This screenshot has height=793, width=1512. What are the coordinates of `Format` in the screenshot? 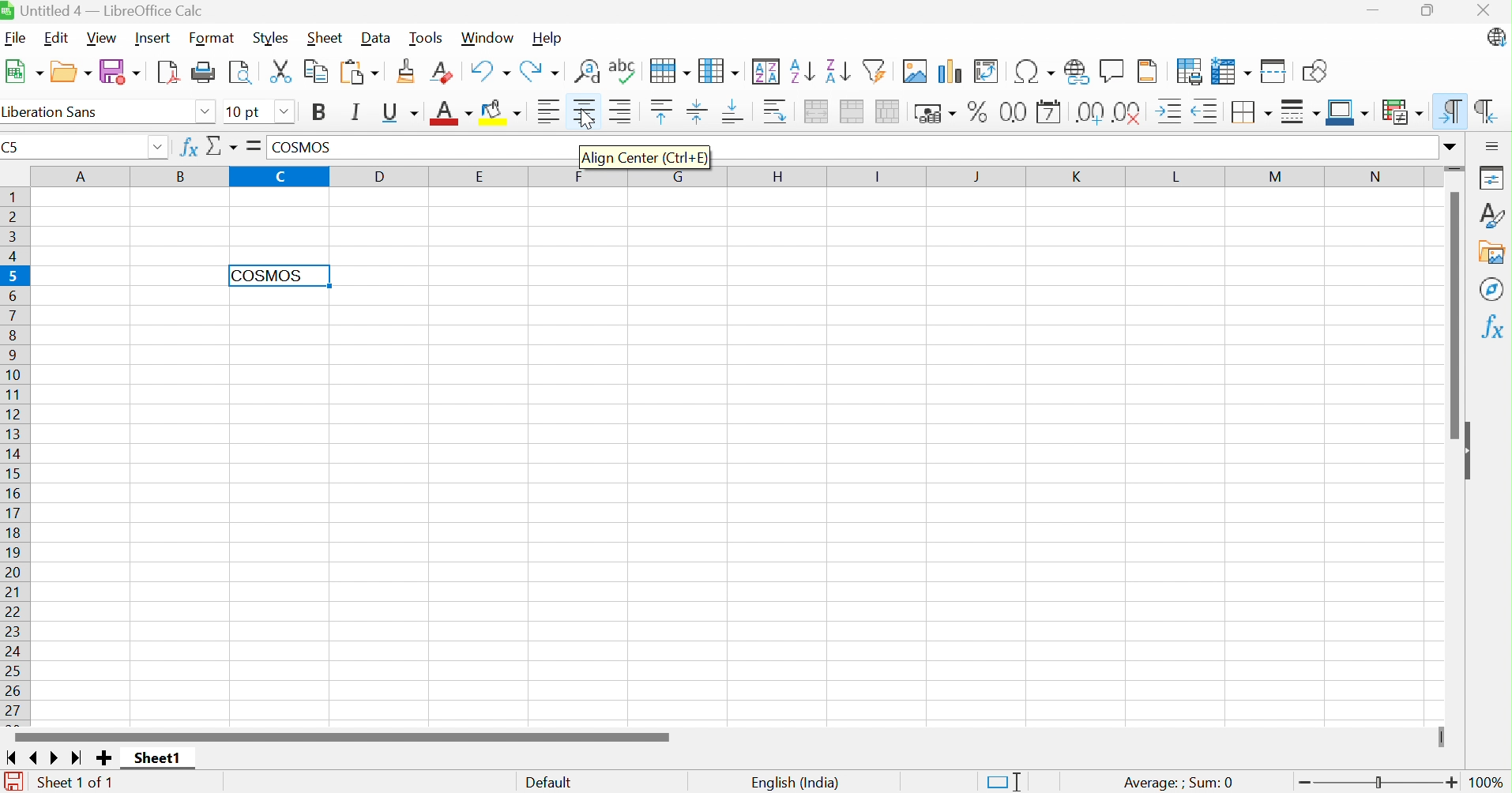 It's located at (215, 37).